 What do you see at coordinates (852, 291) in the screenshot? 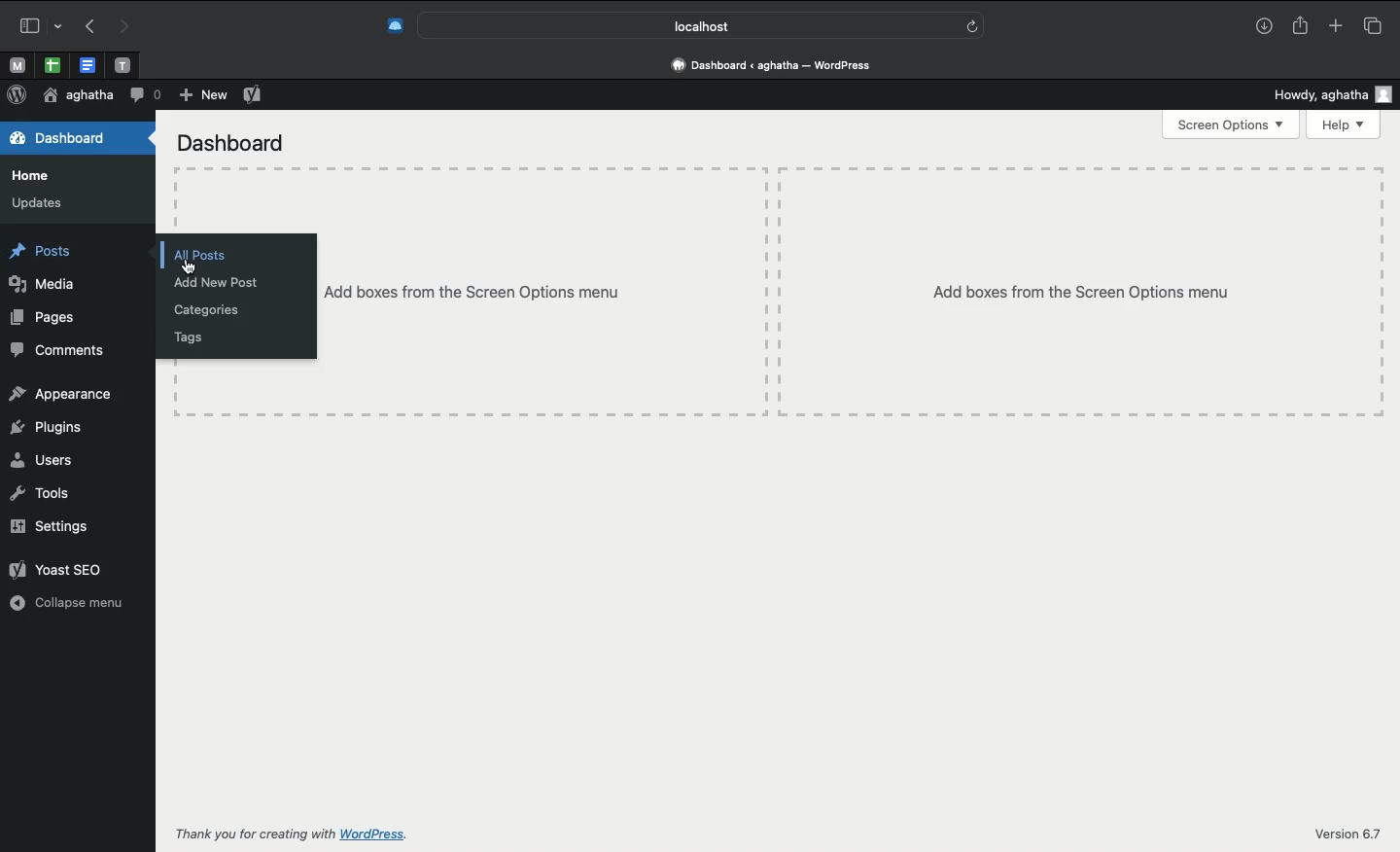
I see `Add boxes from the screen options menu` at bounding box center [852, 291].